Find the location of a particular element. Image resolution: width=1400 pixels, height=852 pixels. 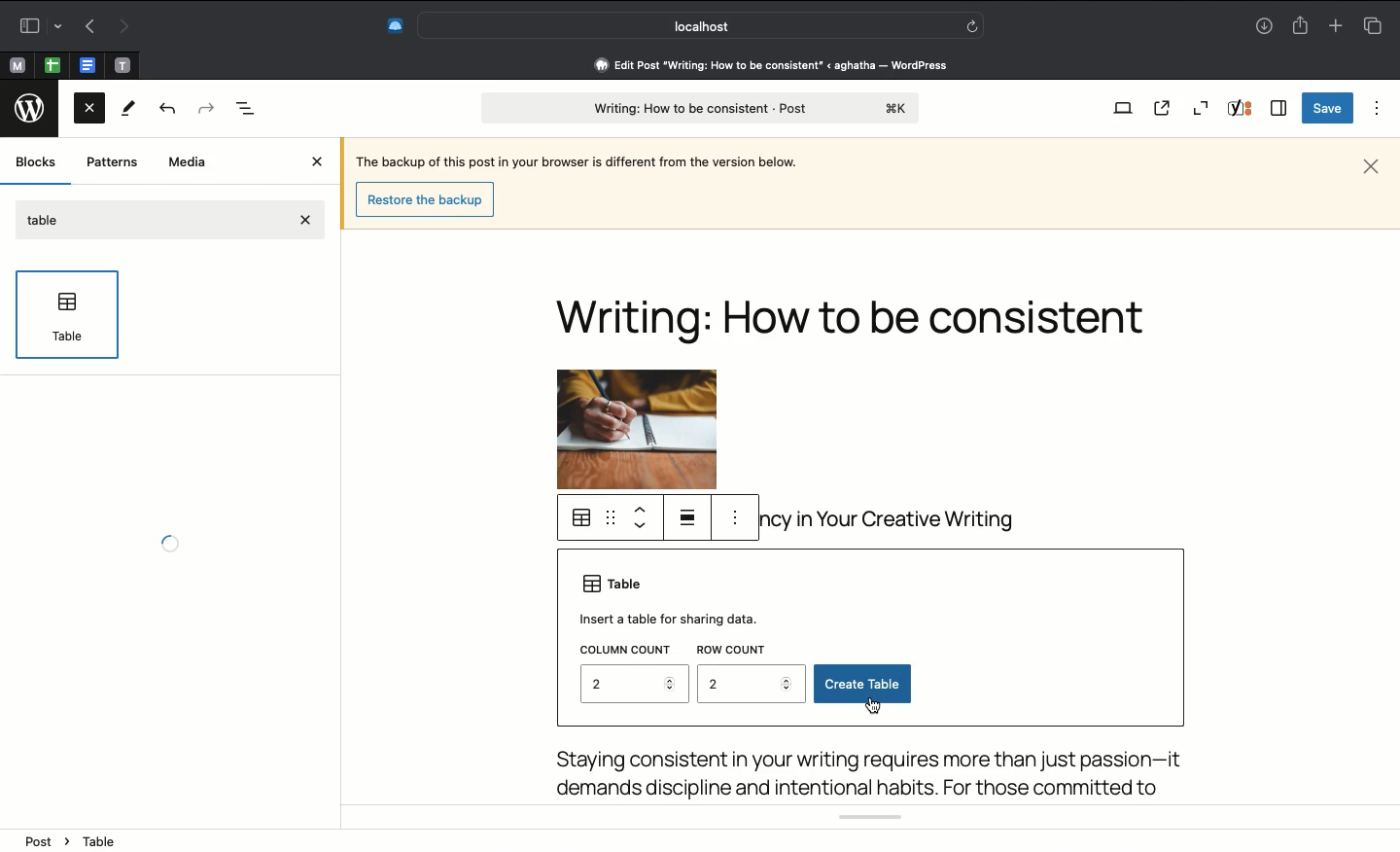

Close is located at coordinates (89, 112).